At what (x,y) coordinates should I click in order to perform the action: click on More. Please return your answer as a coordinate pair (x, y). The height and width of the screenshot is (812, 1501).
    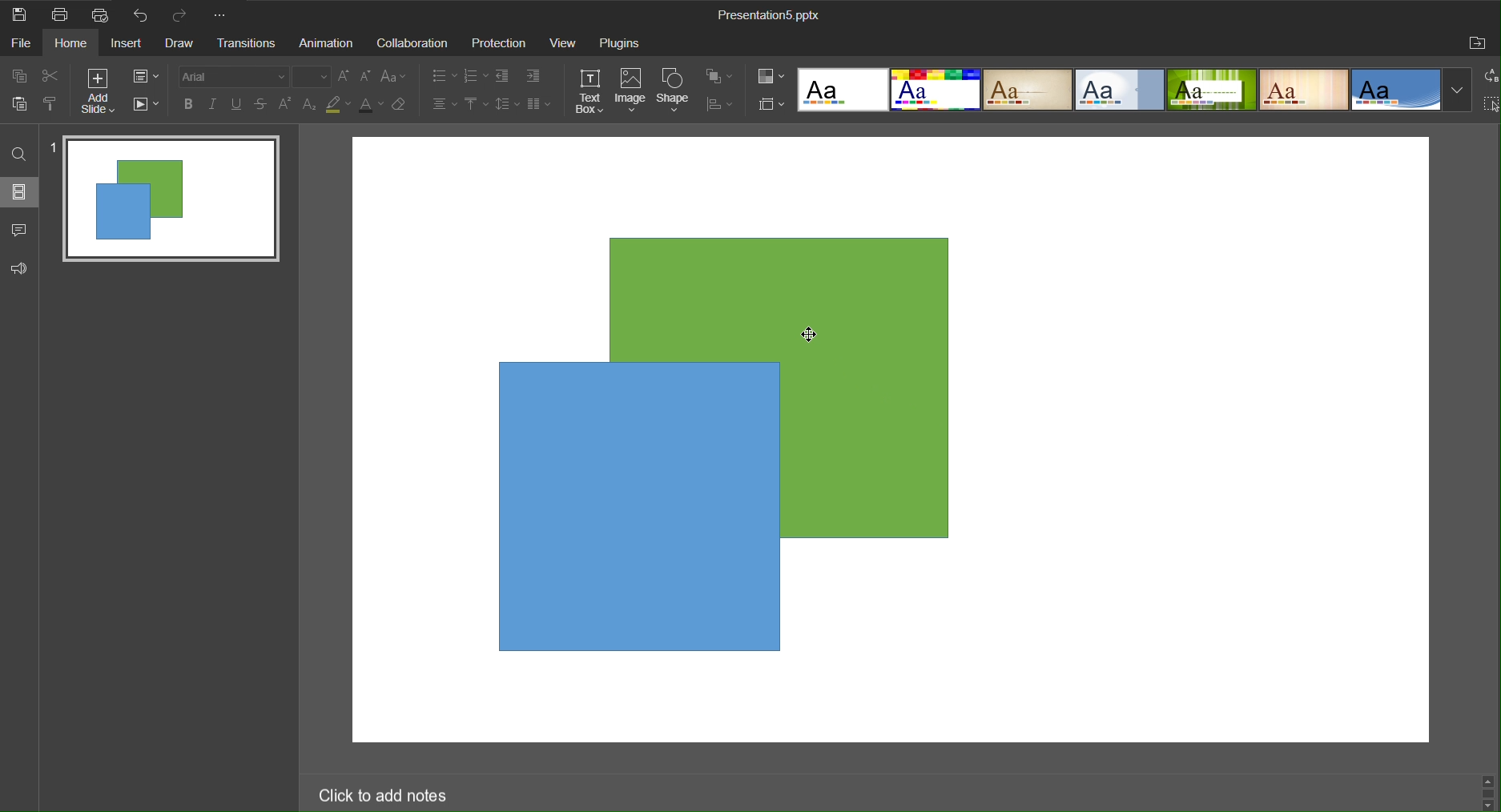
    Looking at the image, I should click on (225, 16).